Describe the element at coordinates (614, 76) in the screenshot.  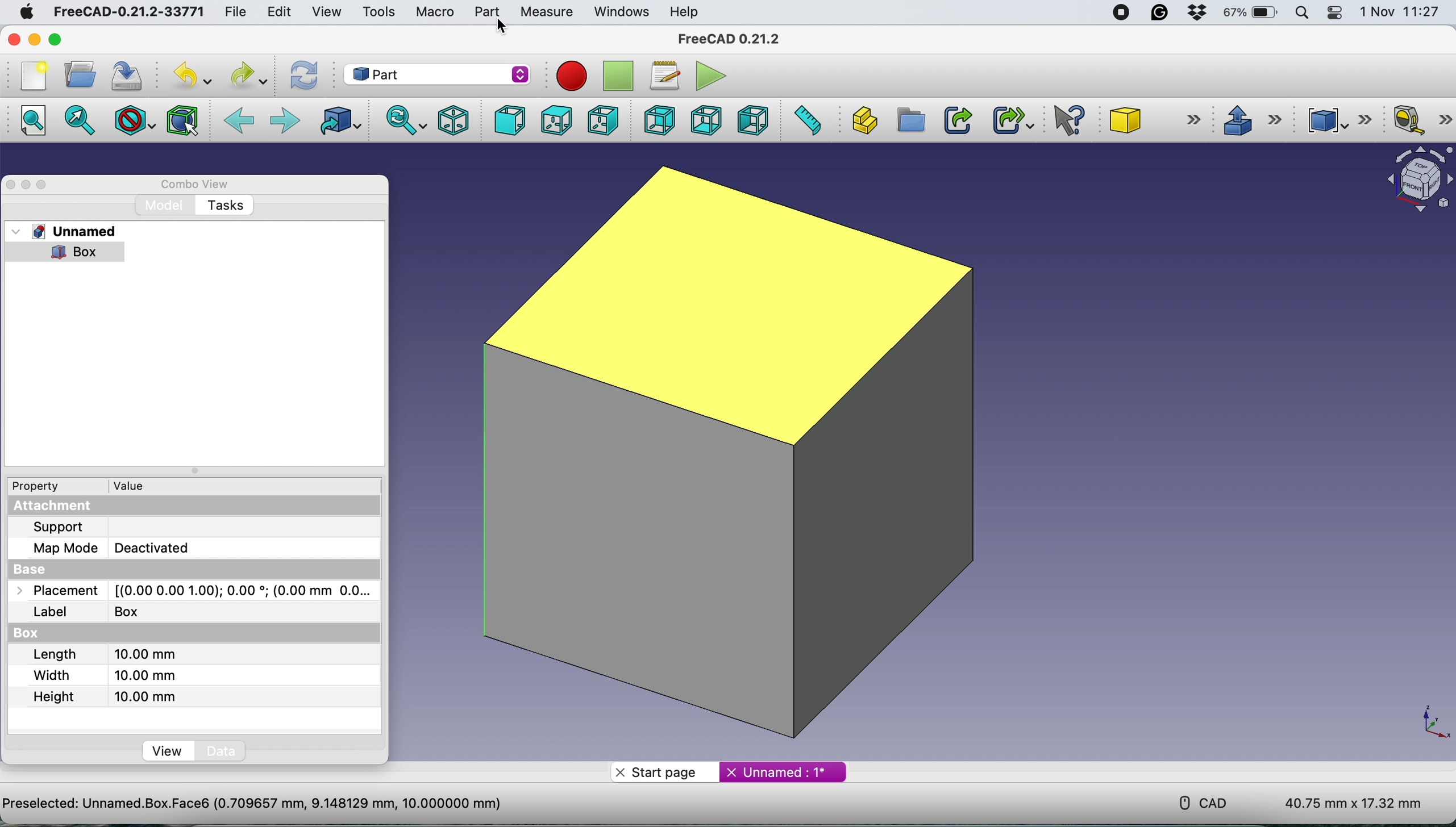
I see `stop recording macros` at that location.